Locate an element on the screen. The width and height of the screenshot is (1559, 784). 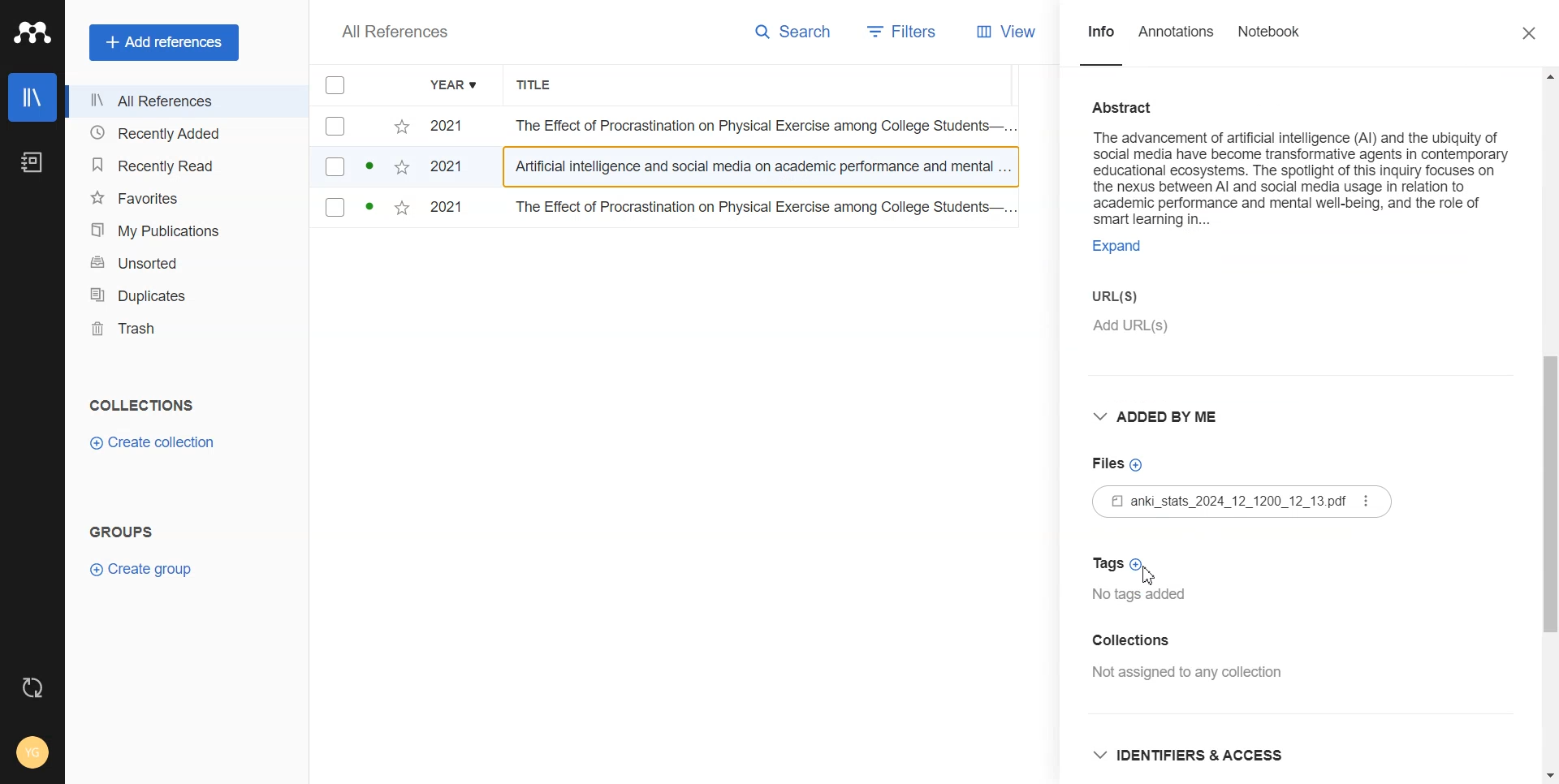
Library is located at coordinates (32, 97).